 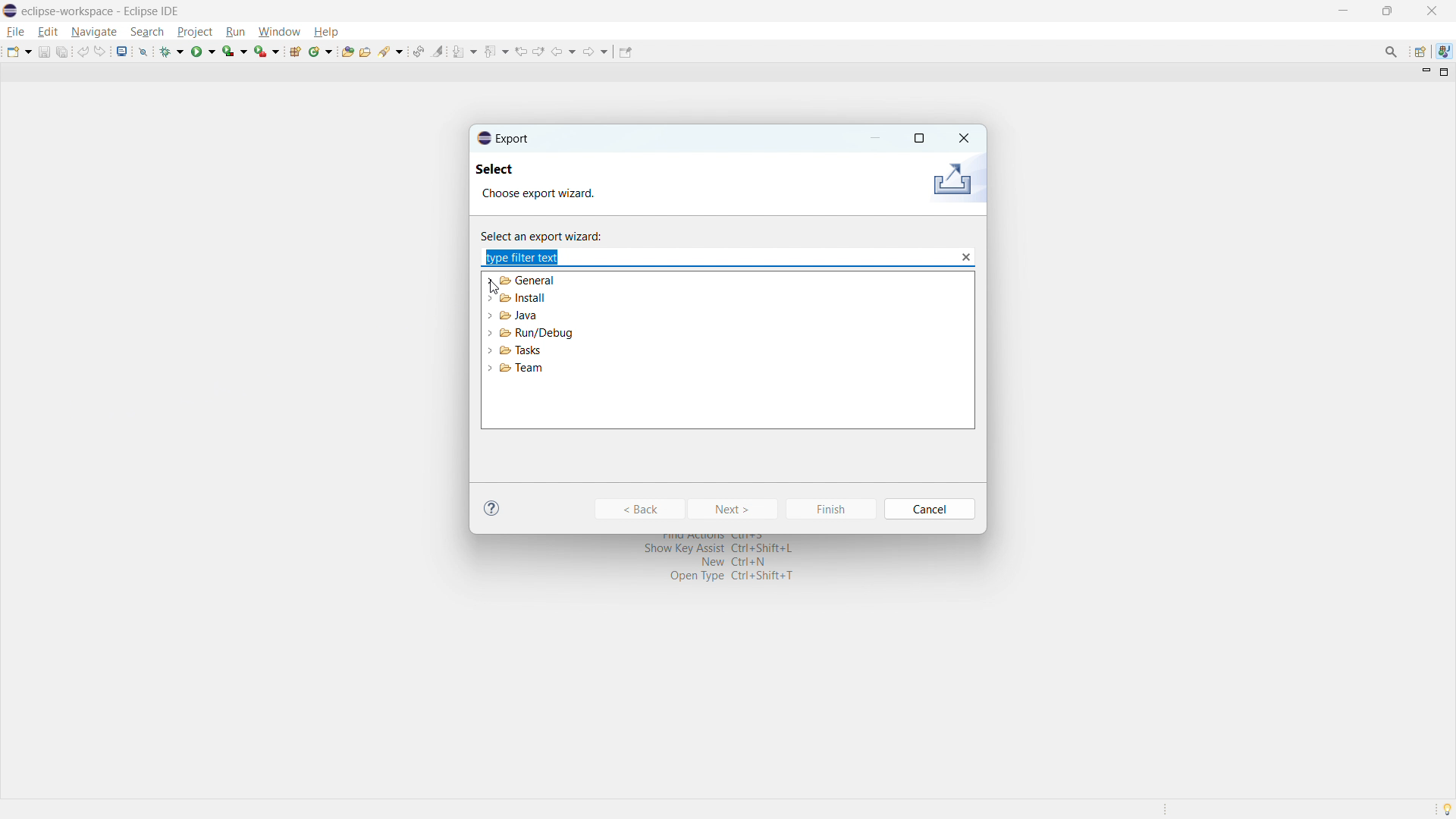 I want to click on Cursor, so click(x=498, y=289).